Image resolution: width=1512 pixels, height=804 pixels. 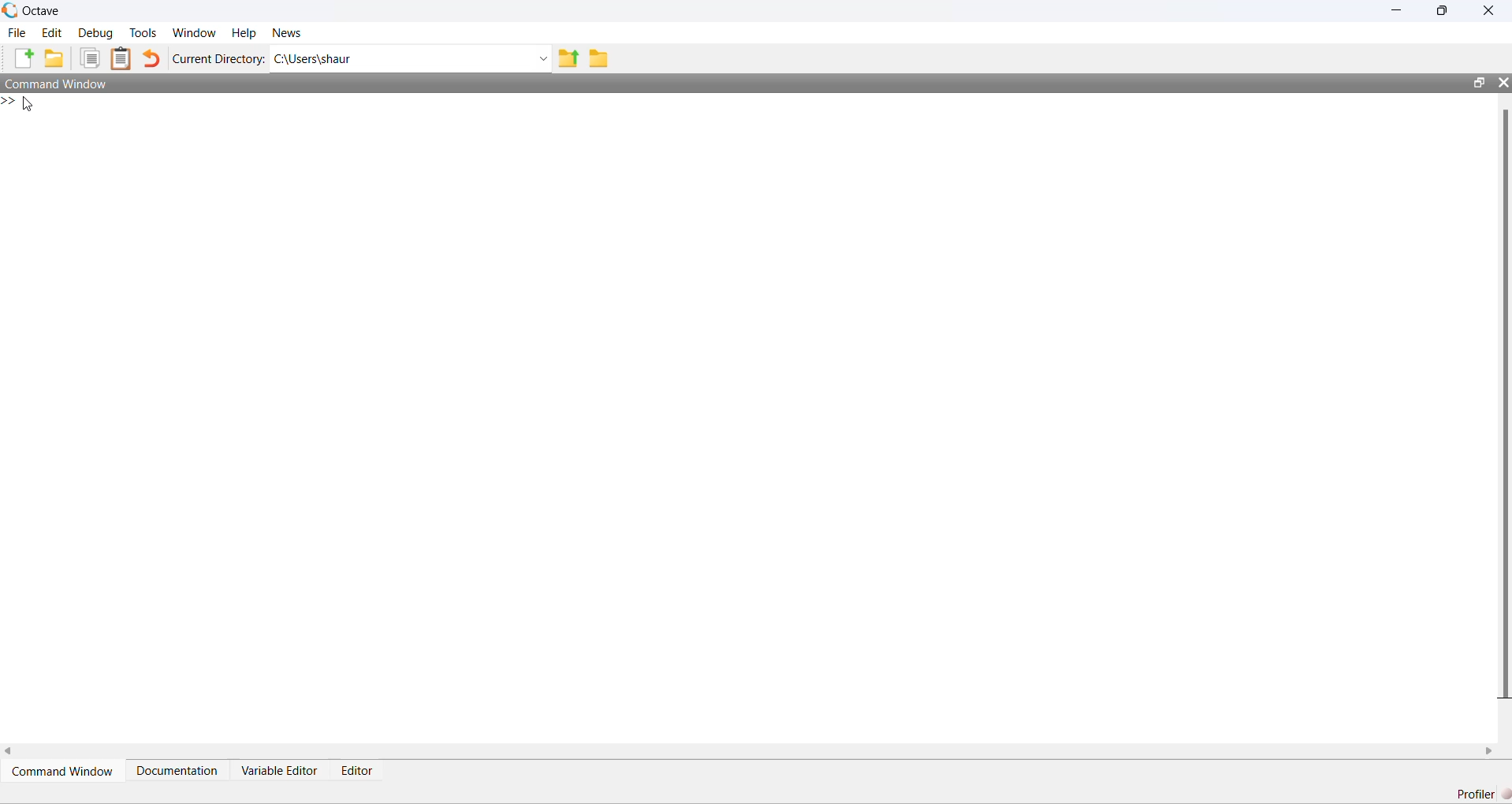 What do you see at coordinates (1490, 751) in the screenshot?
I see `scroll right` at bounding box center [1490, 751].